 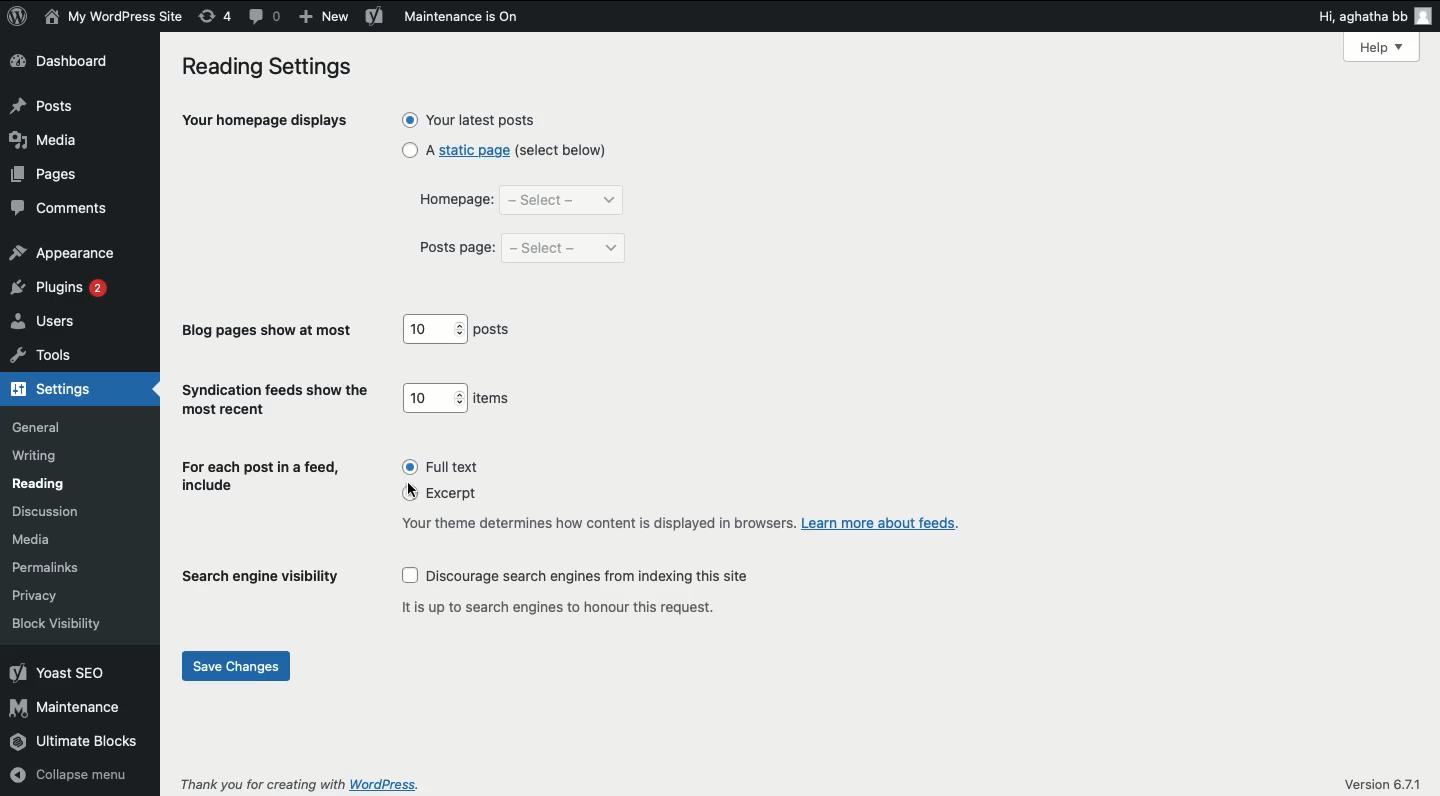 What do you see at coordinates (115, 18) in the screenshot?
I see `my wordpress site` at bounding box center [115, 18].